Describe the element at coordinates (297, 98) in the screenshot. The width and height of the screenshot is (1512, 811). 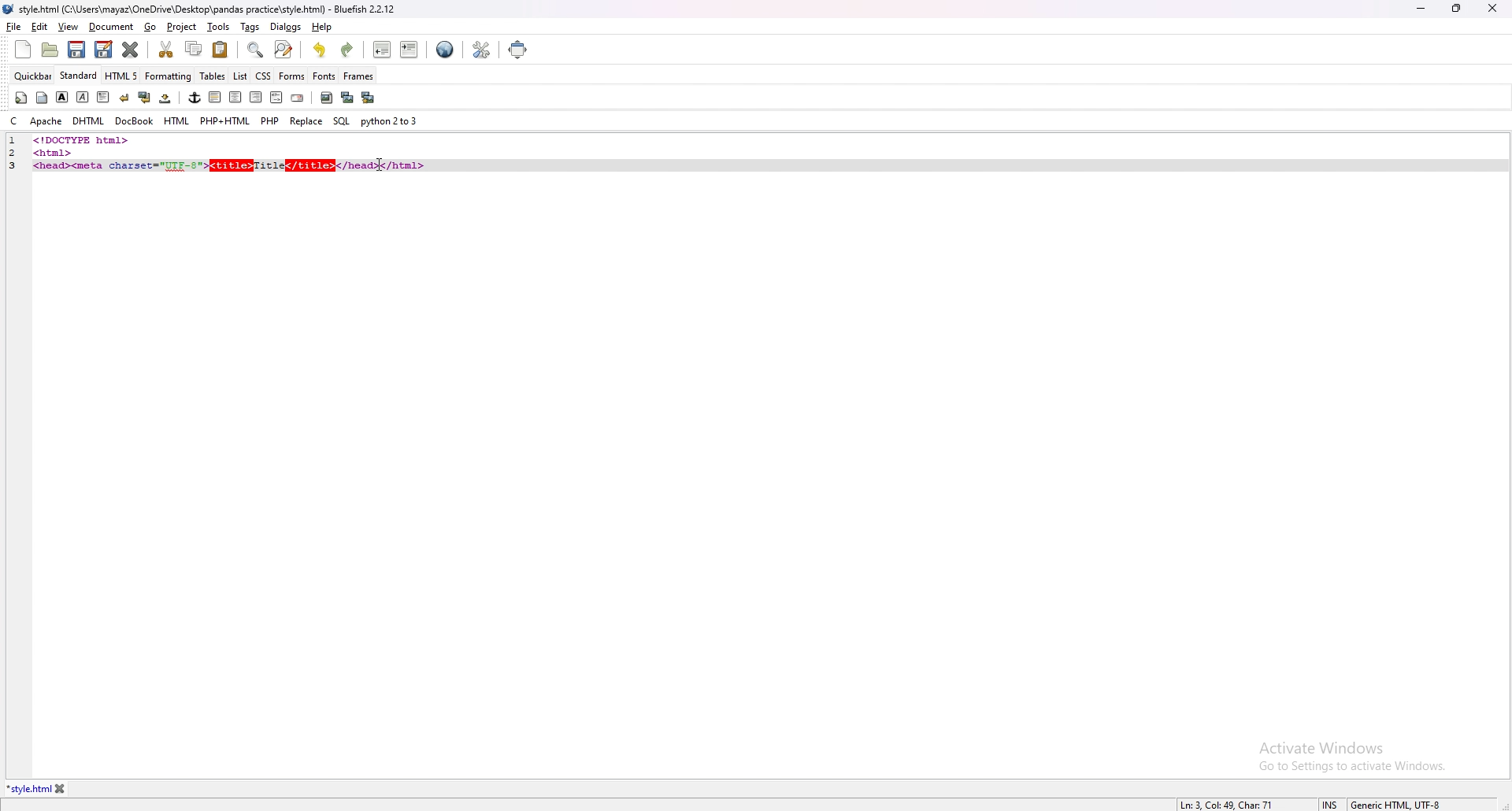
I see `email` at that location.